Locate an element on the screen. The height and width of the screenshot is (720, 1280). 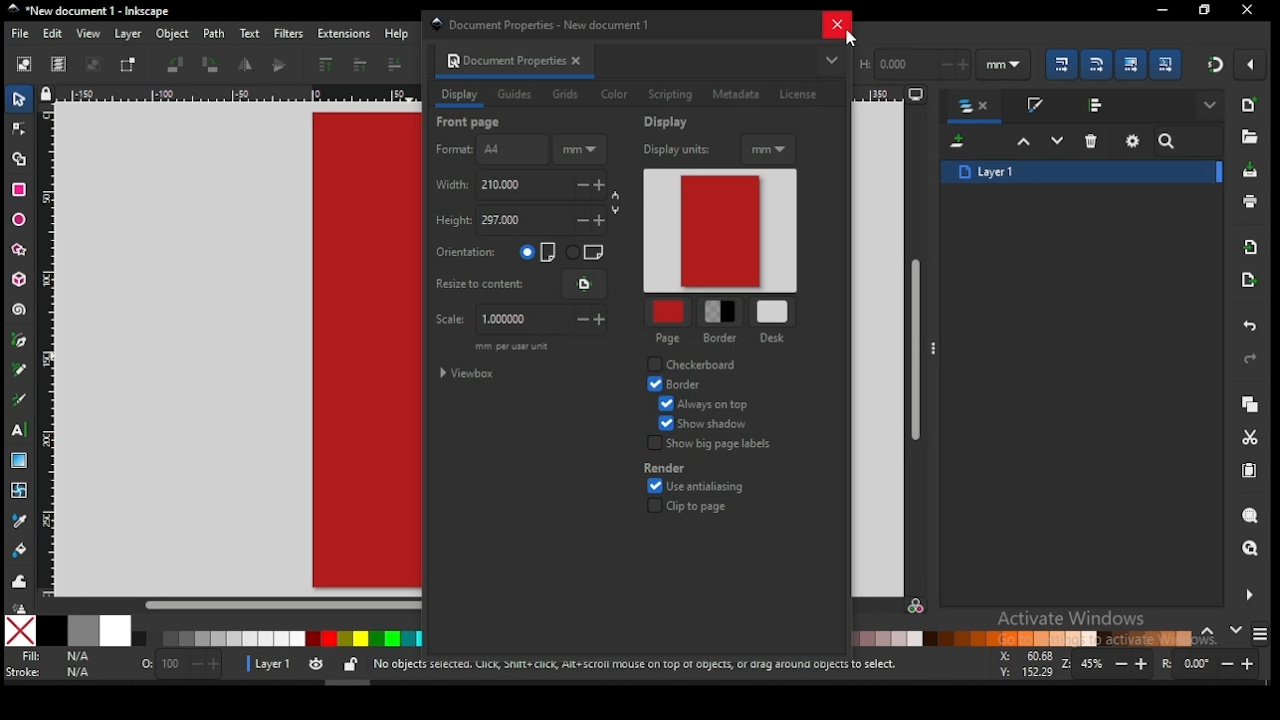
undo is located at coordinates (1250, 327).